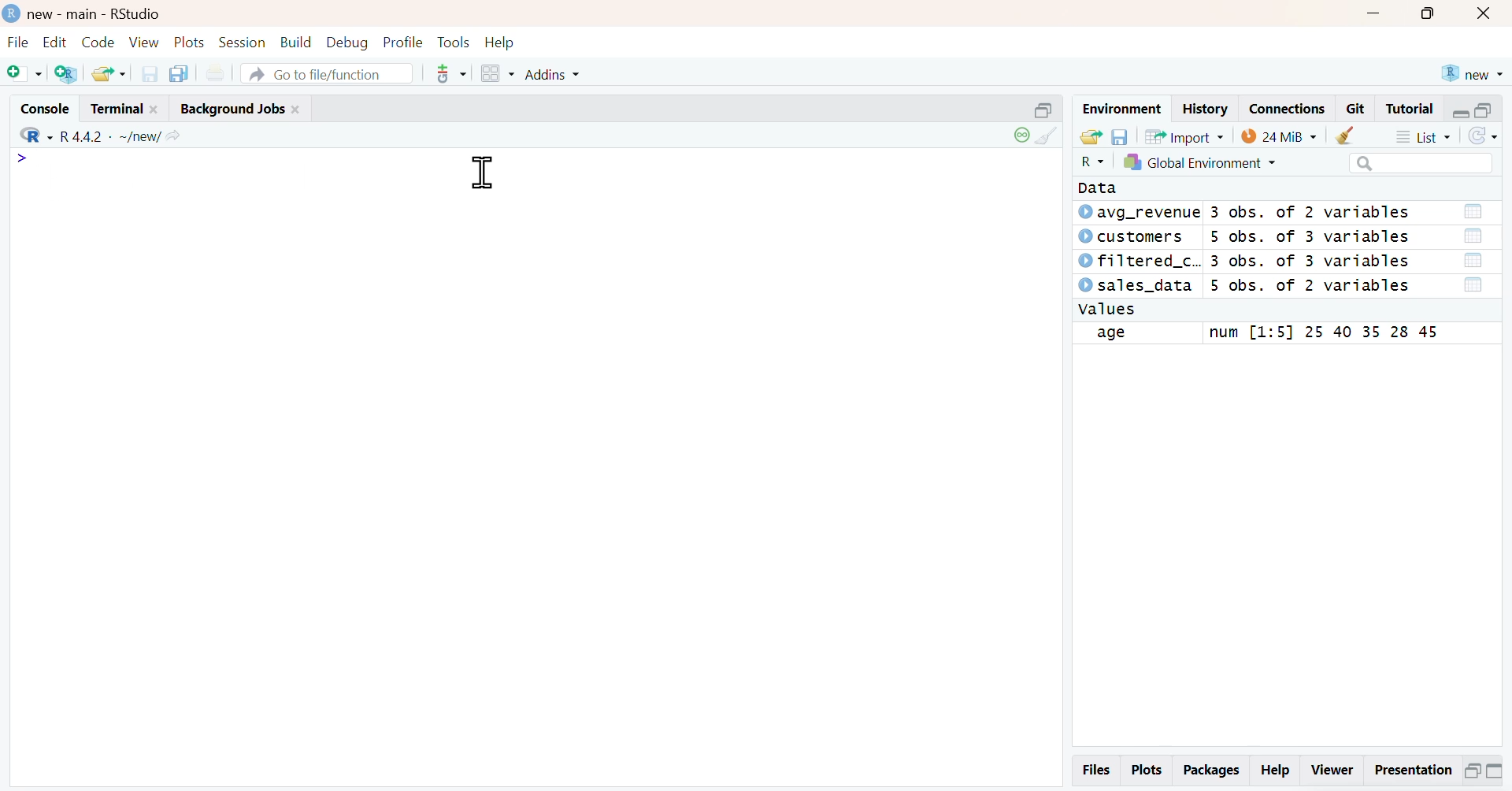 Image resolution: width=1512 pixels, height=791 pixels. Describe the element at coordinates (1091, 162) in the screenshot. I see `Select Language - R` at that location.